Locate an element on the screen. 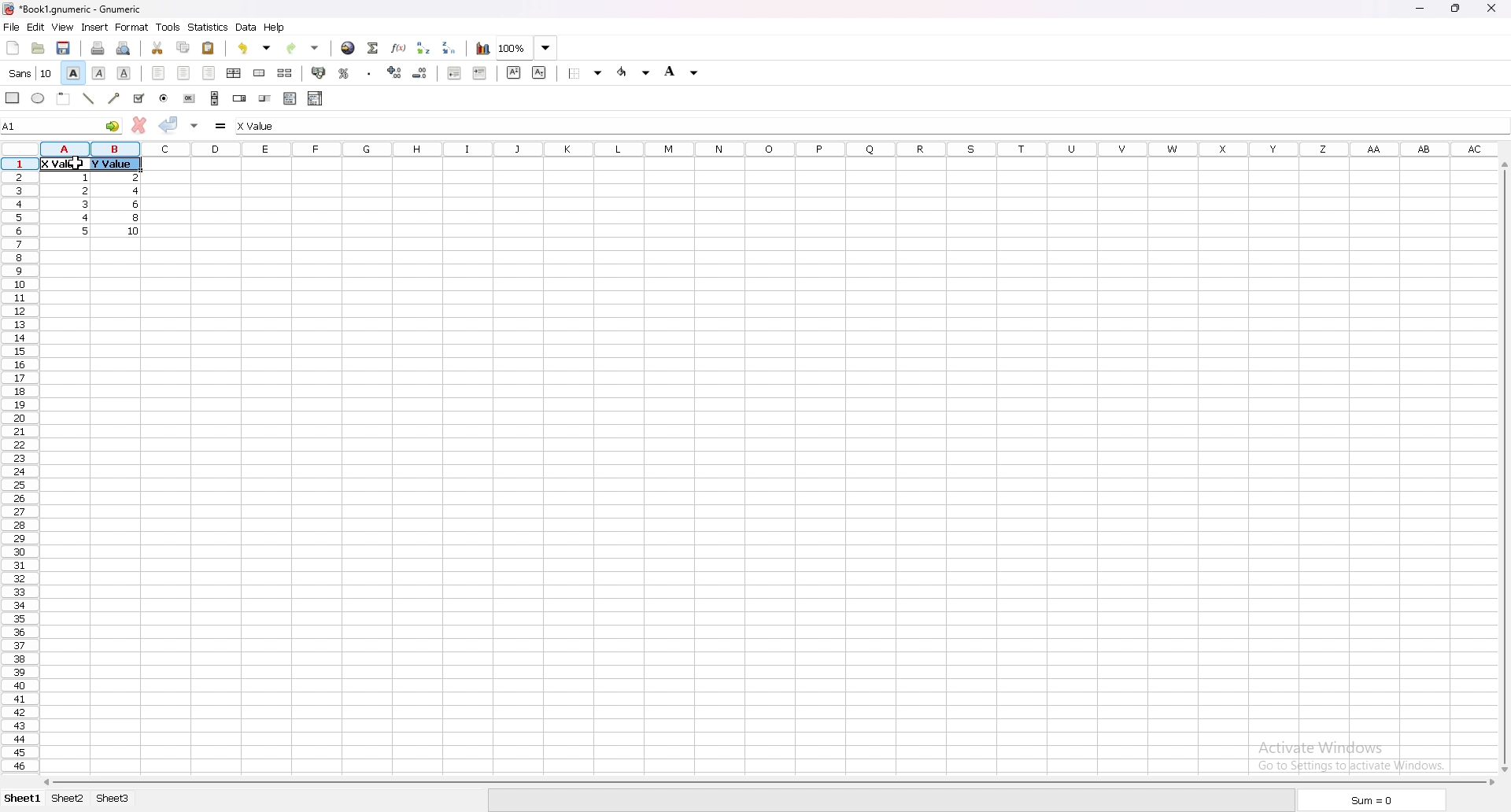 This screenshot has height=812, width=1511. rectangle is located at coordinates (13, 97).